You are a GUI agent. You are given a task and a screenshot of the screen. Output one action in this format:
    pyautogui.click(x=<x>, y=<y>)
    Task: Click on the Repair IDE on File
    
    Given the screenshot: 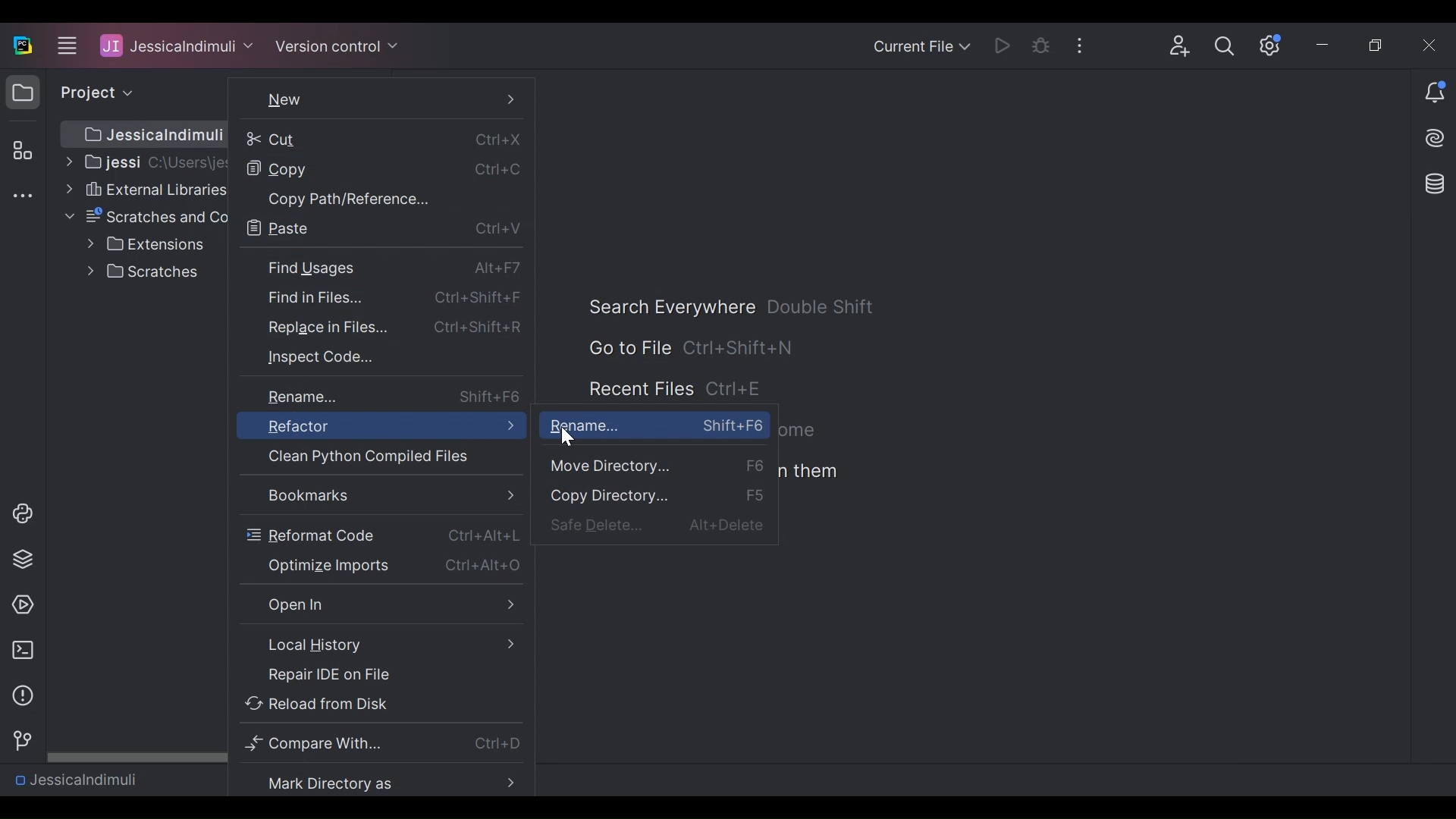 What is the action you would take?
    pyautogui.click(x=378, y=676)
    